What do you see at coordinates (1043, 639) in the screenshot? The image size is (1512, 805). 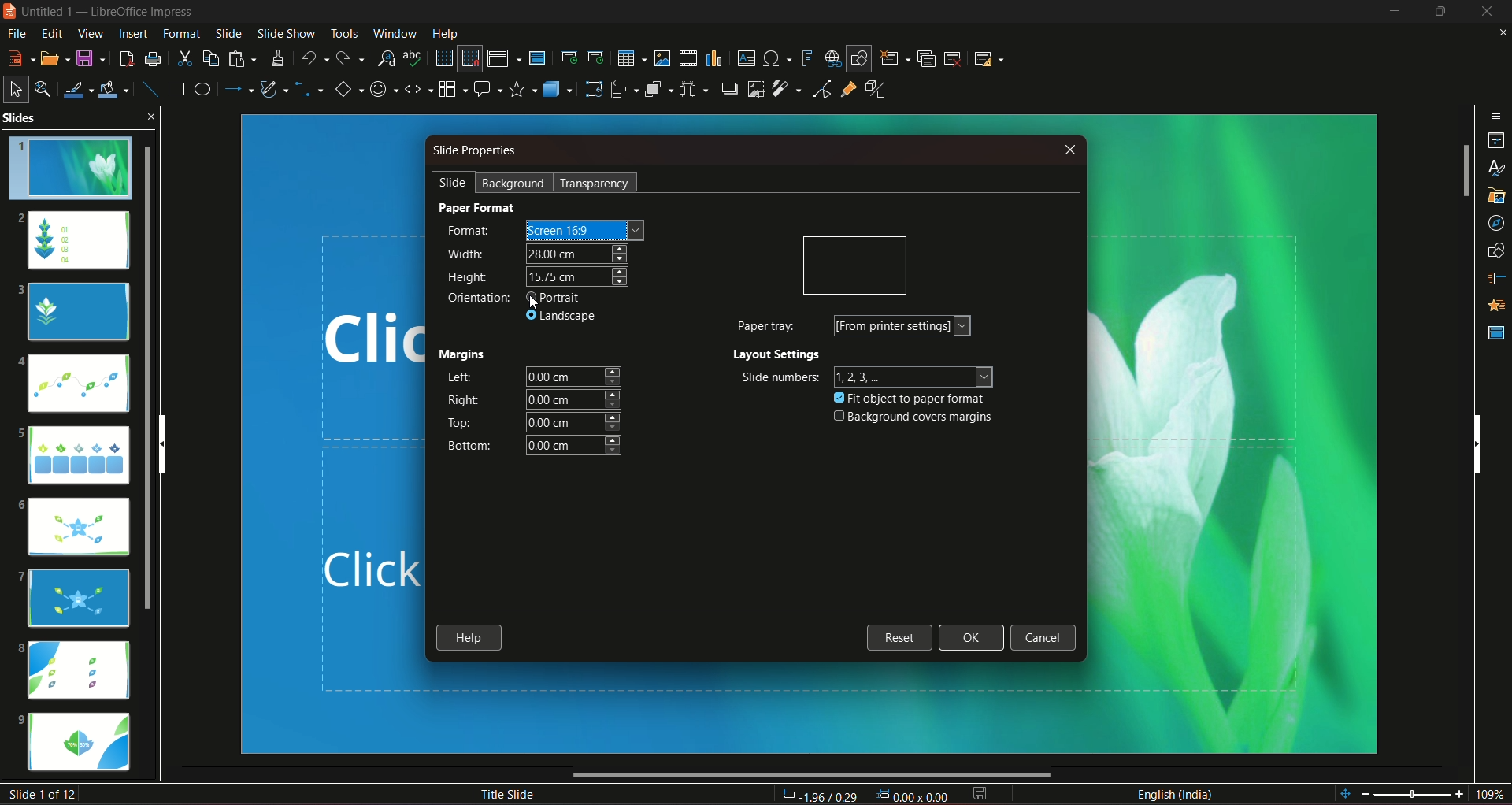 I see `cancel` at bounding box center [1043, 639].